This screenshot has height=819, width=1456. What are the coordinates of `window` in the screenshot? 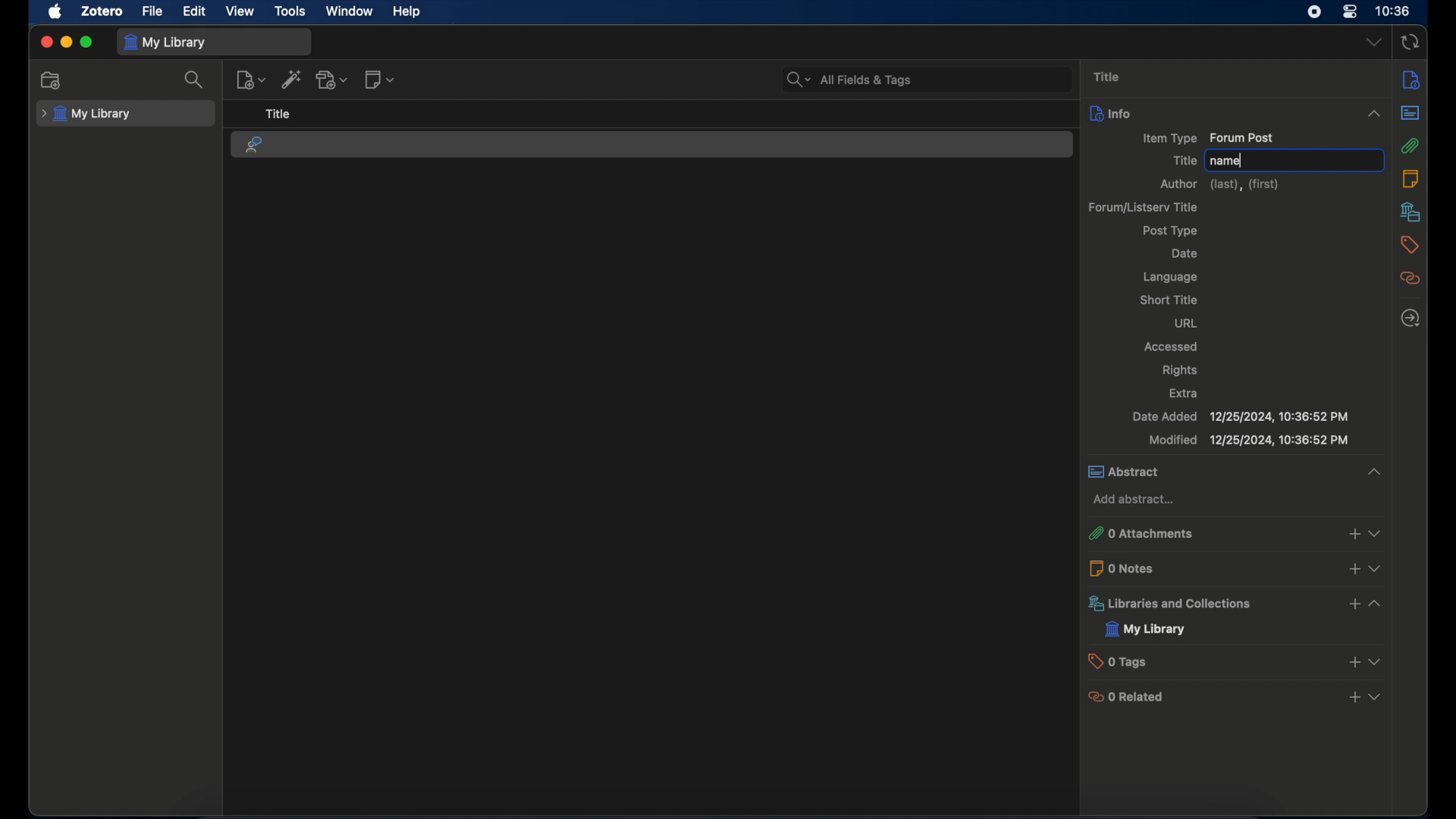 It's located at (350, 11).